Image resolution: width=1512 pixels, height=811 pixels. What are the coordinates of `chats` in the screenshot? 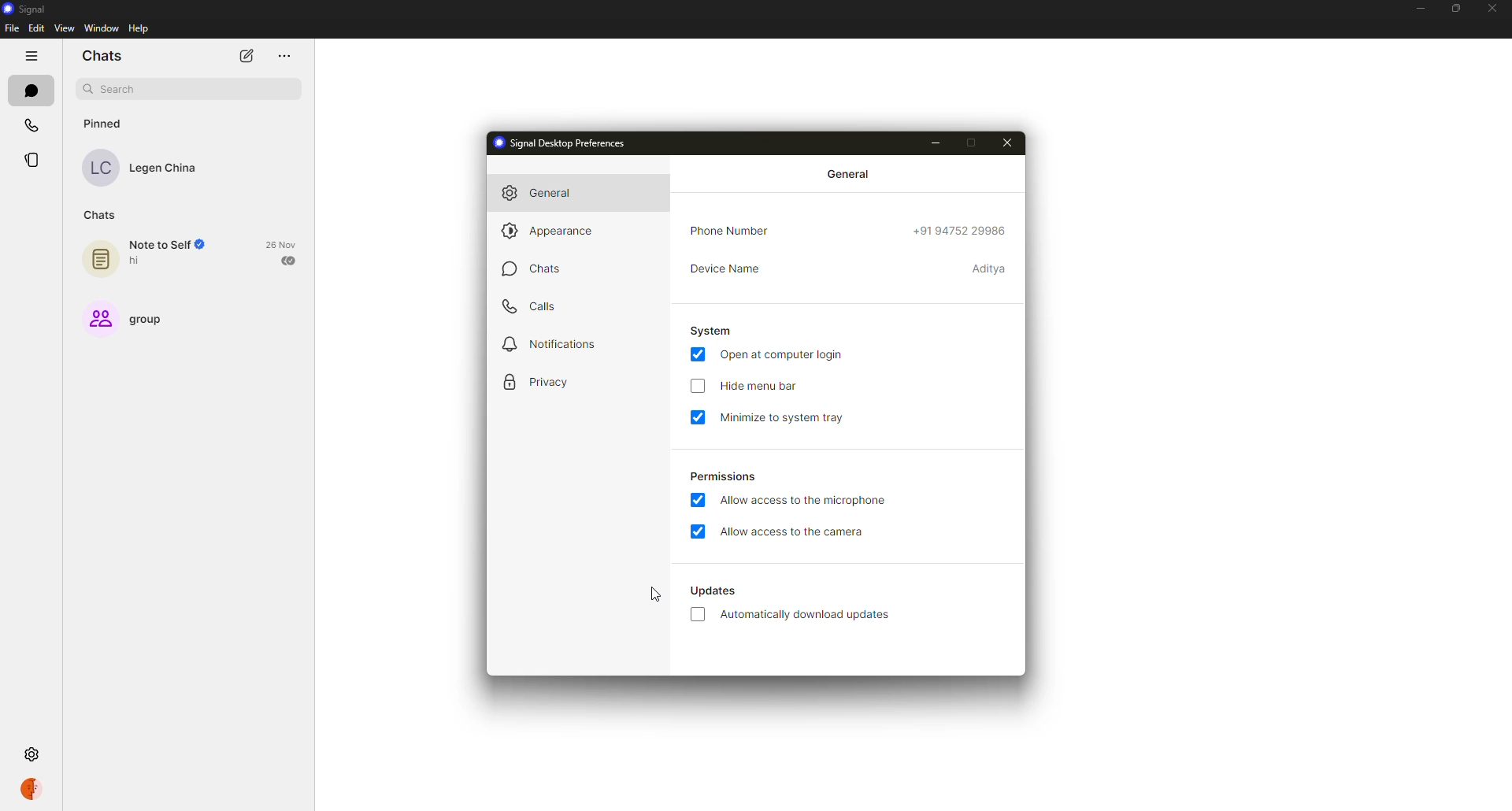 It's located at (103, 56).